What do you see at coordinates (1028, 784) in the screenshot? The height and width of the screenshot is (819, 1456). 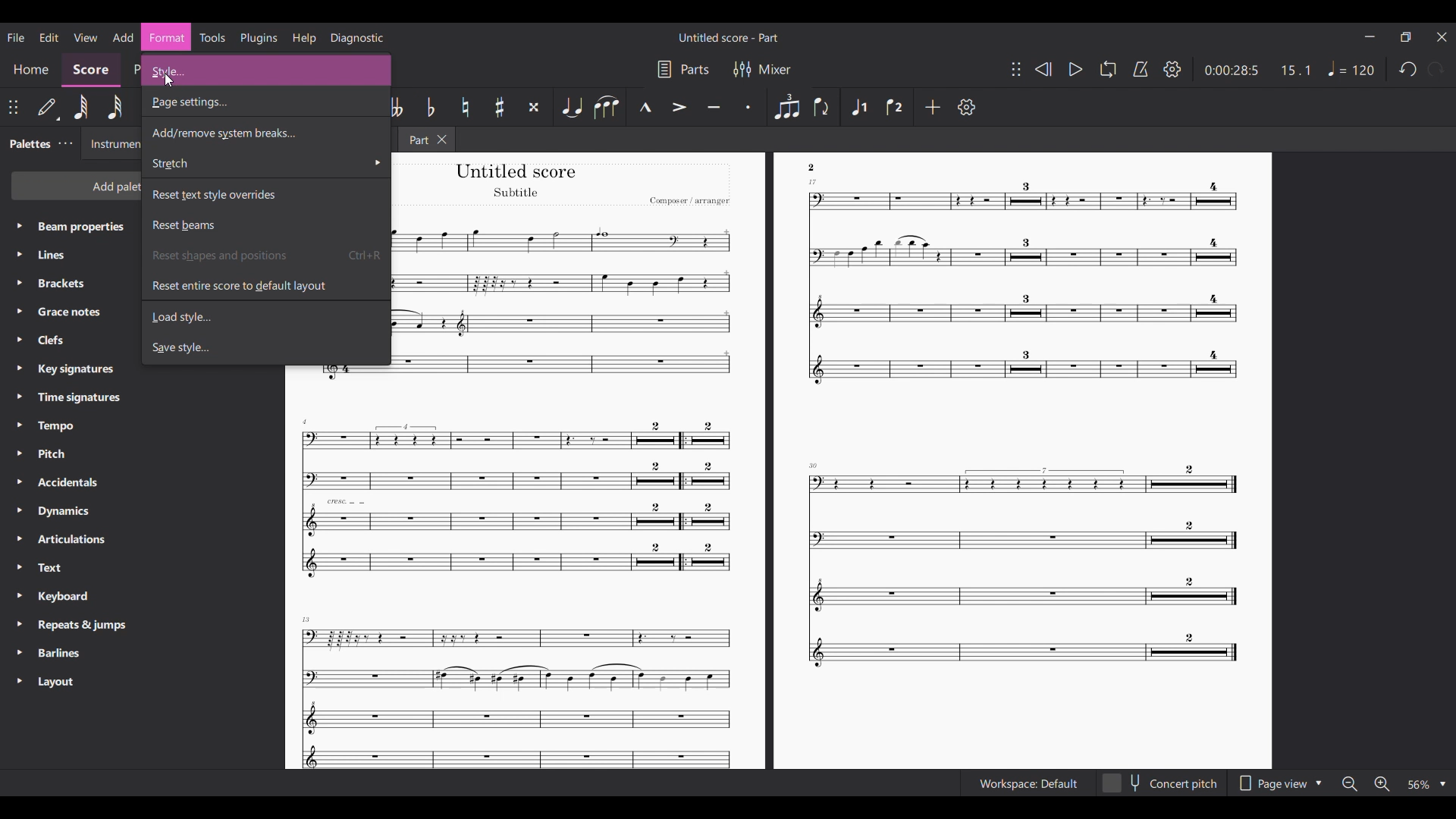 I see `Workspace Default` at bounding box center [1028, 784].